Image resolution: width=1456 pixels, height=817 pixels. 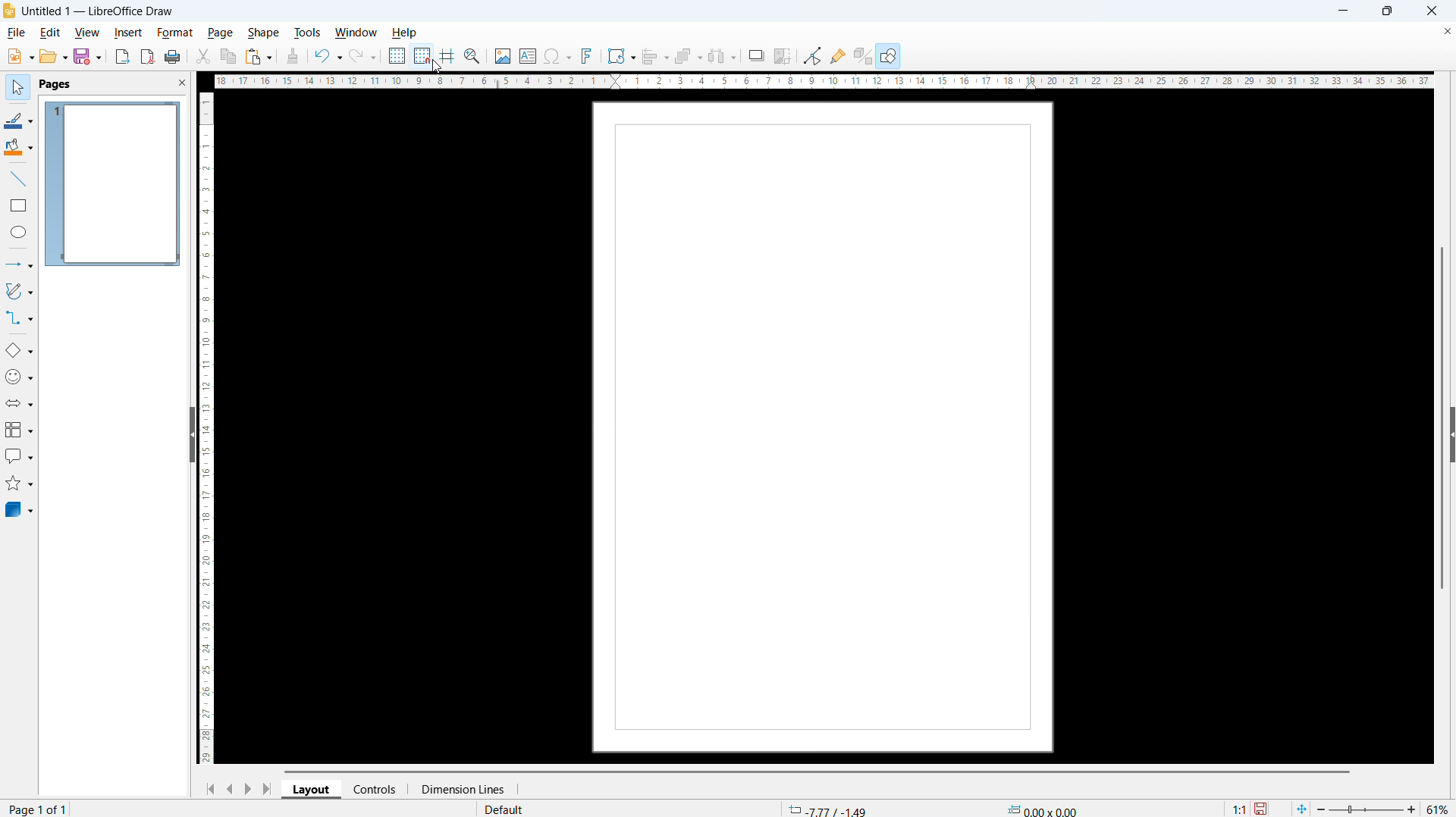 What do you see at coordinates (267, 789) in the screenshot?
I see `go to last page` at bounding box center [267, 789].